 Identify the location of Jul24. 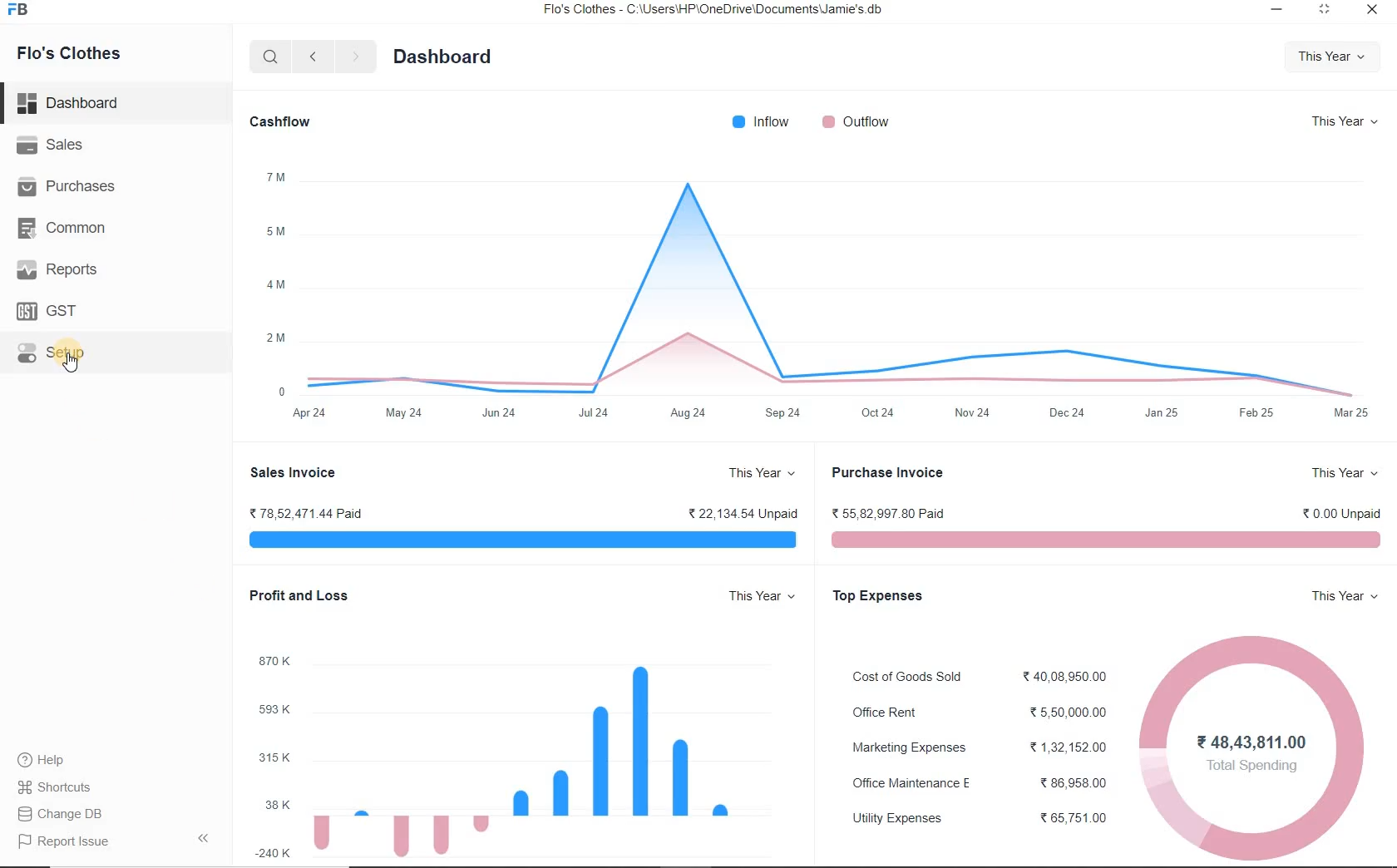
(590, 414).